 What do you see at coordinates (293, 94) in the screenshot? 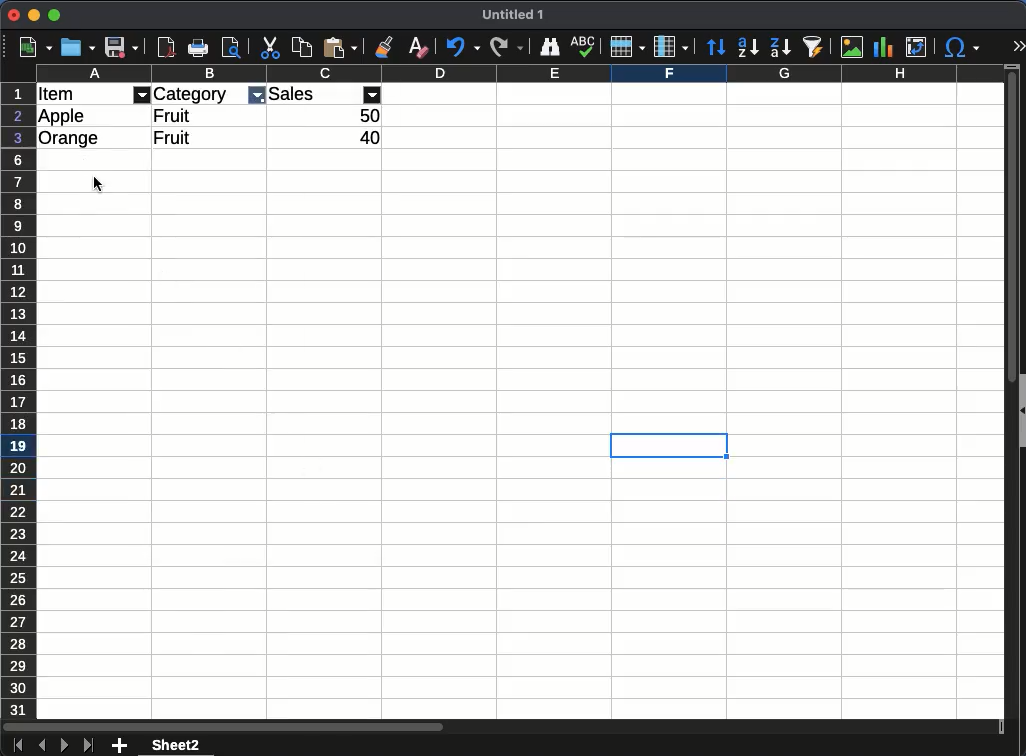
I see `Sales` at bounding box center [293, 94].